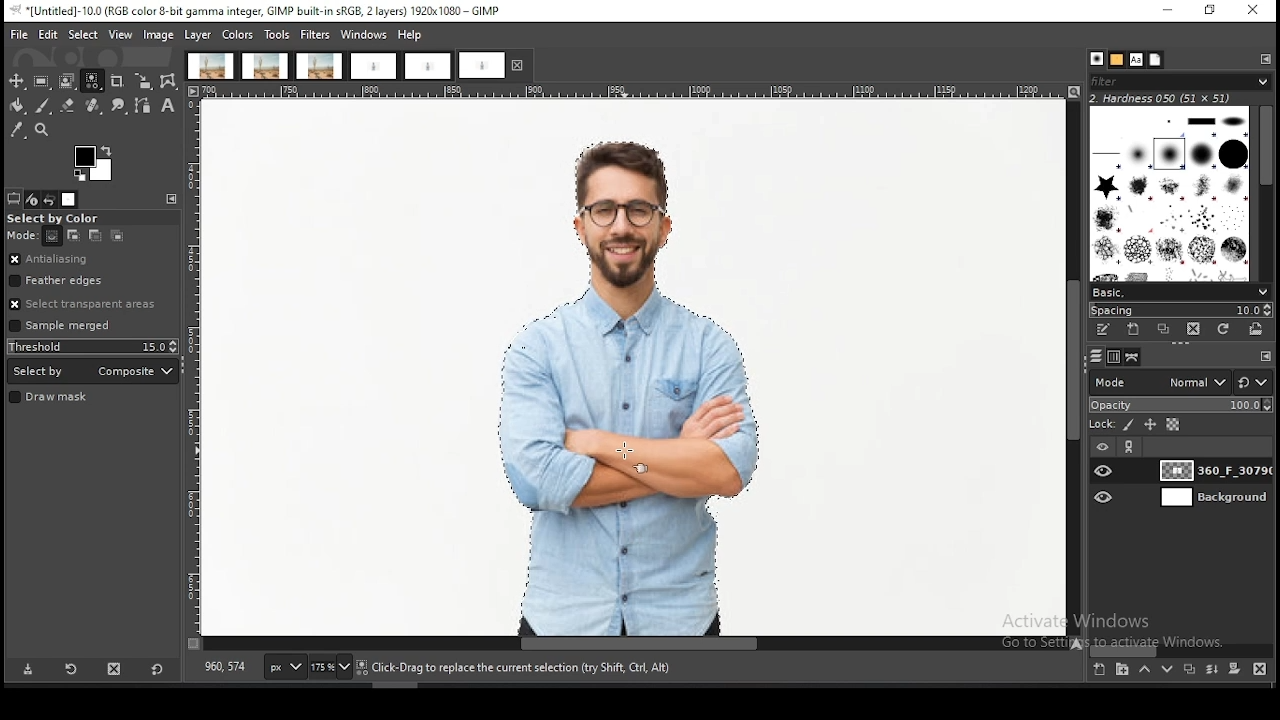 This screenshot has width=1280, height=720. Describe the element at coordinates (143, 82) in the screenshot. I see `scale tool` at that location.